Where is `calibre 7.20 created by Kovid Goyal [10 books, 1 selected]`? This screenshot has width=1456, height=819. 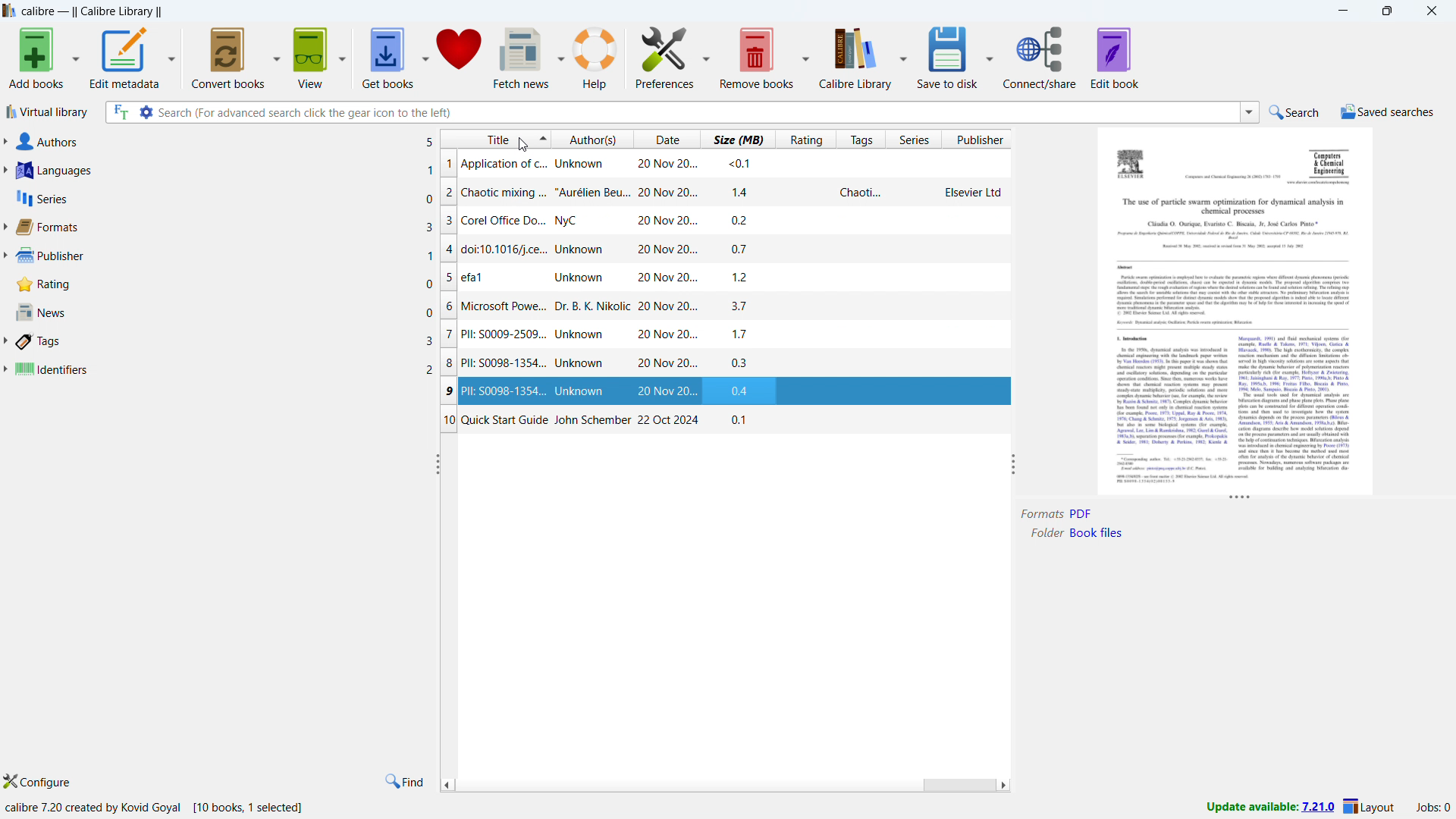 calibre 7.20 created by Kovid Goyal [10 books, 1 selected] is located at coordinates (162, 808).